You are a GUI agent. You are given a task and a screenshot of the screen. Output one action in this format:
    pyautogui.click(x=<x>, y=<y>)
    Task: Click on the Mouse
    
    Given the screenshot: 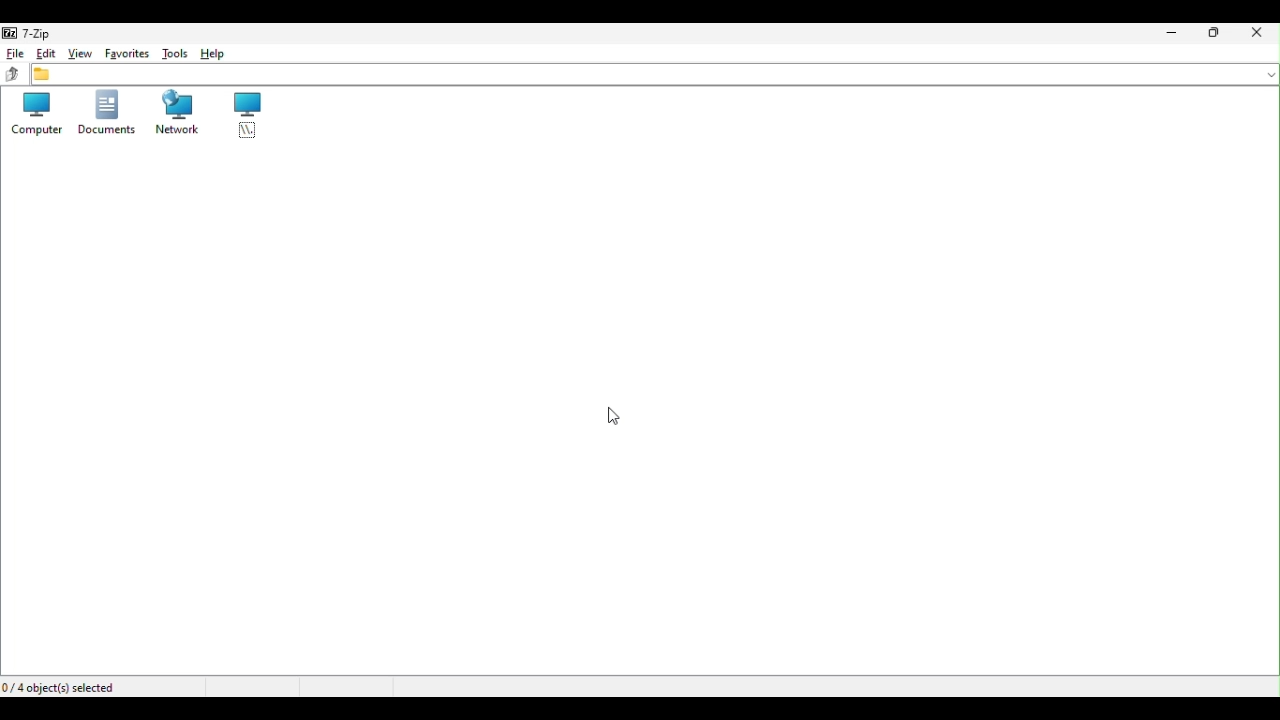 What is the action you would take?
    pyautogui.click(x=621, y=416)
    